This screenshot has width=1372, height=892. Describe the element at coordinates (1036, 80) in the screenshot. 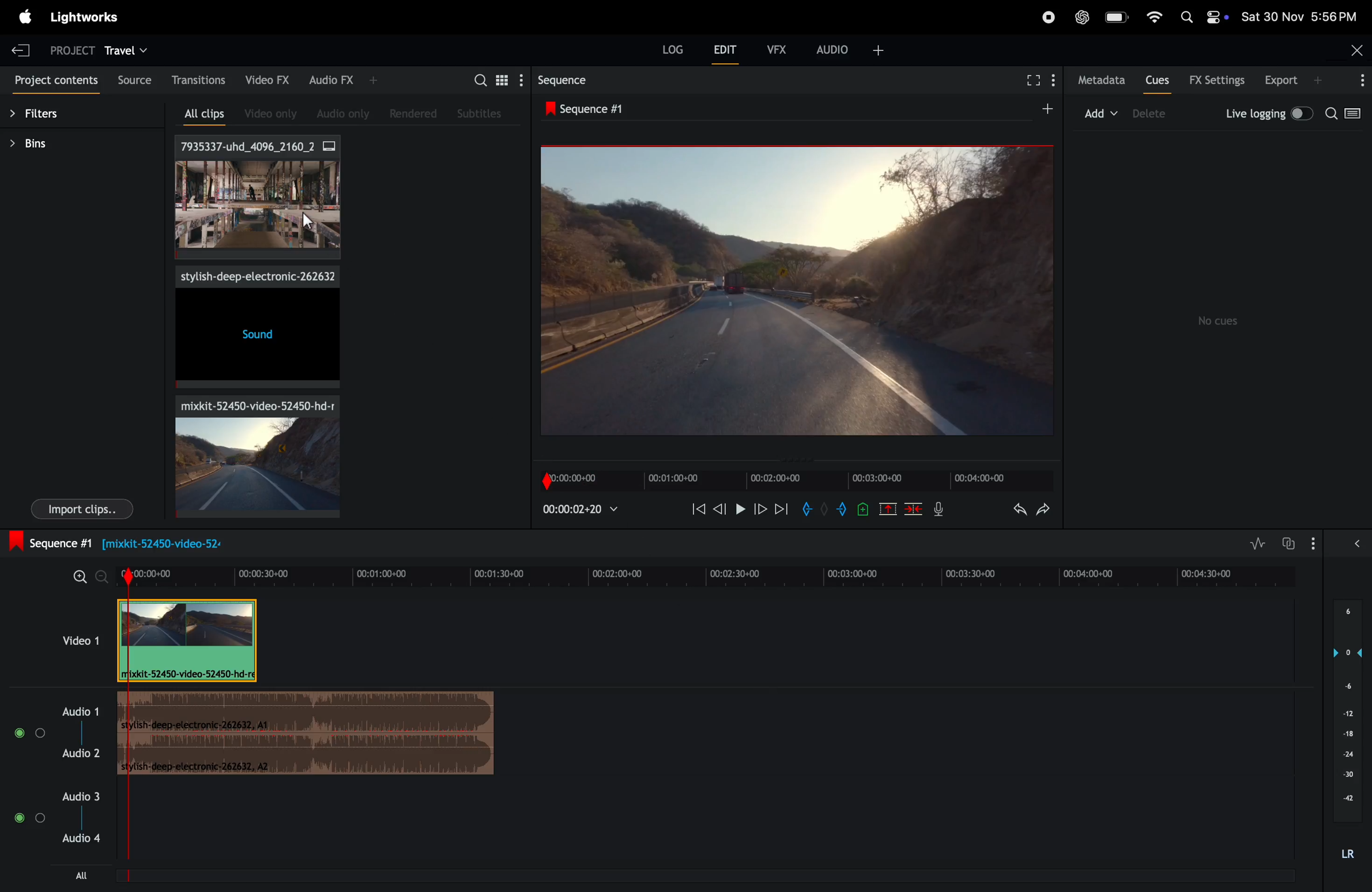

I see `fullscreen` at that location.